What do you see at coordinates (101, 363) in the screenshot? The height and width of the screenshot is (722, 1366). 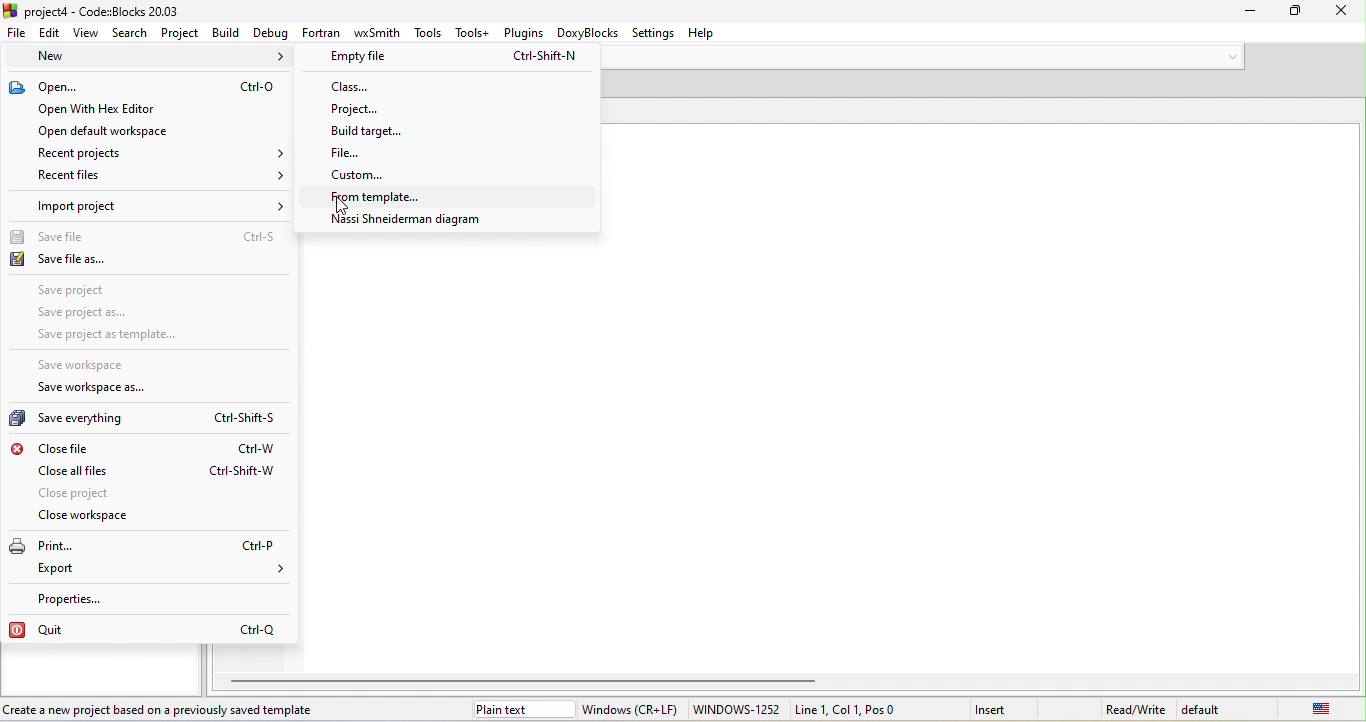 I see `save workspace` at bounding box center [101, 363].